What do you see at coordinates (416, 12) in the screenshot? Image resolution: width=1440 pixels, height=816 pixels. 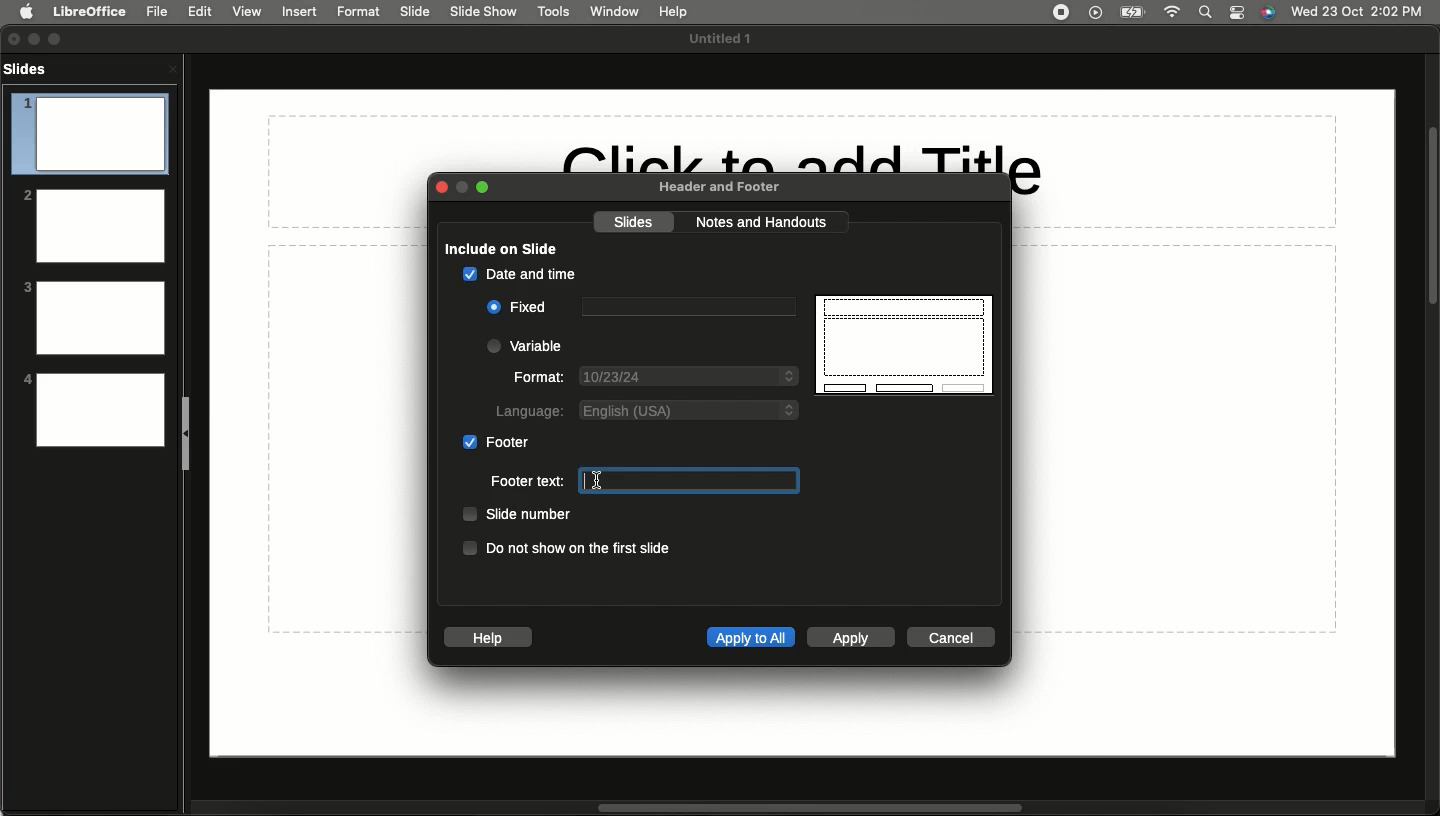 I see `Slide` at bounding box center [416, 12].